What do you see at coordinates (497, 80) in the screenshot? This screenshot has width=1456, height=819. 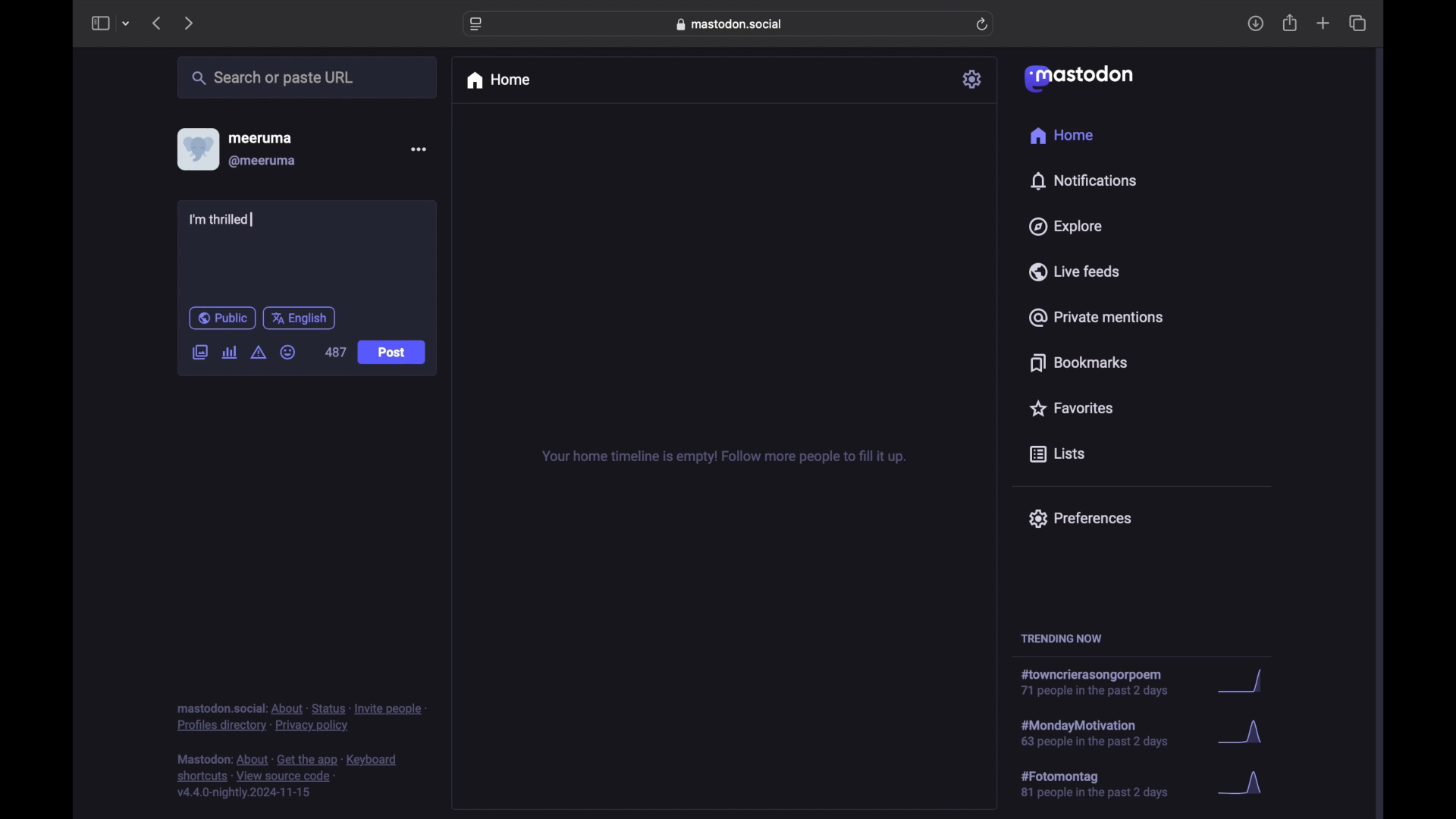 I see `home` at bounding box center [497, 80].